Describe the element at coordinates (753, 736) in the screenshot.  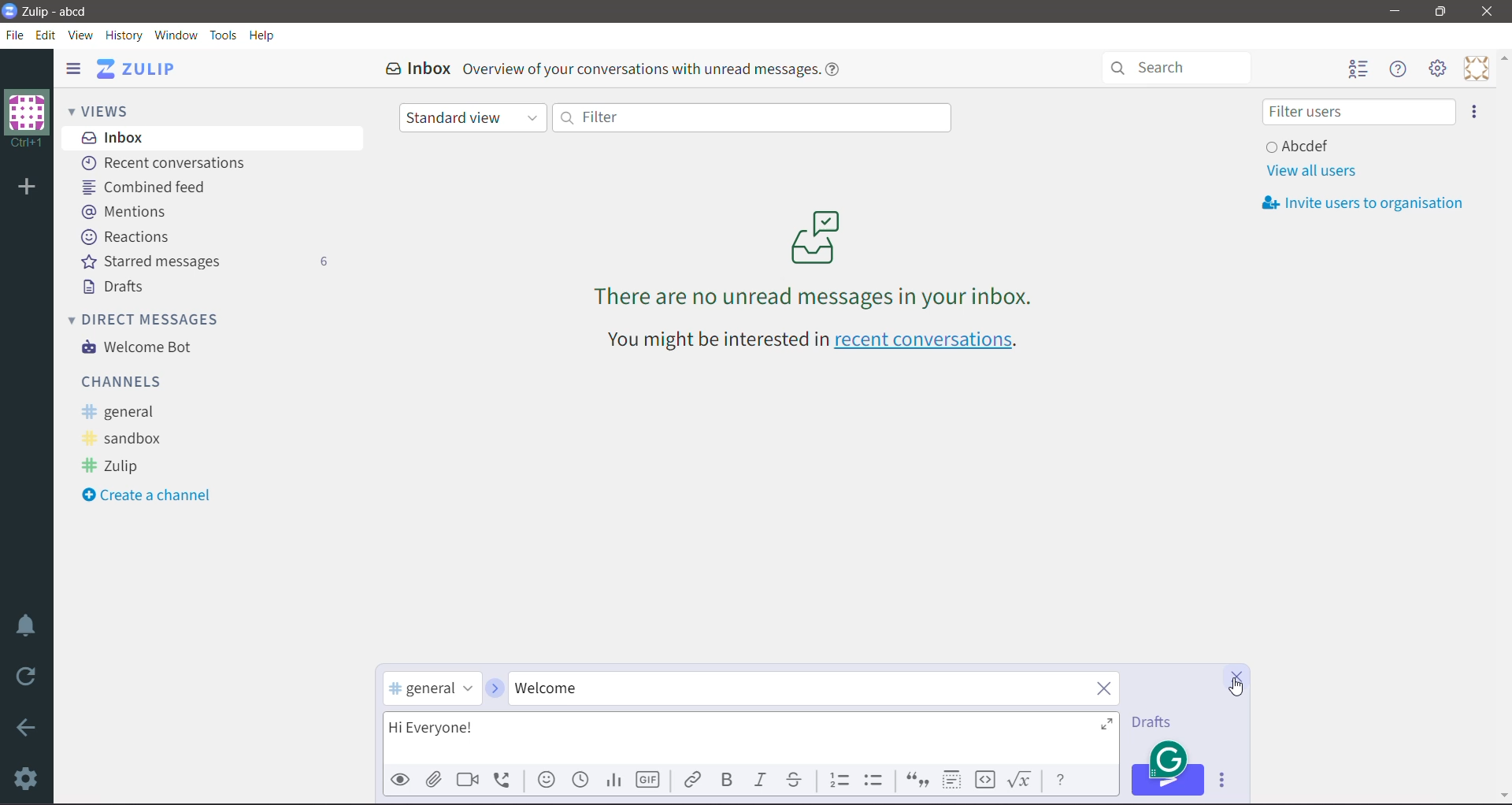
I see `Message typed` at that location.